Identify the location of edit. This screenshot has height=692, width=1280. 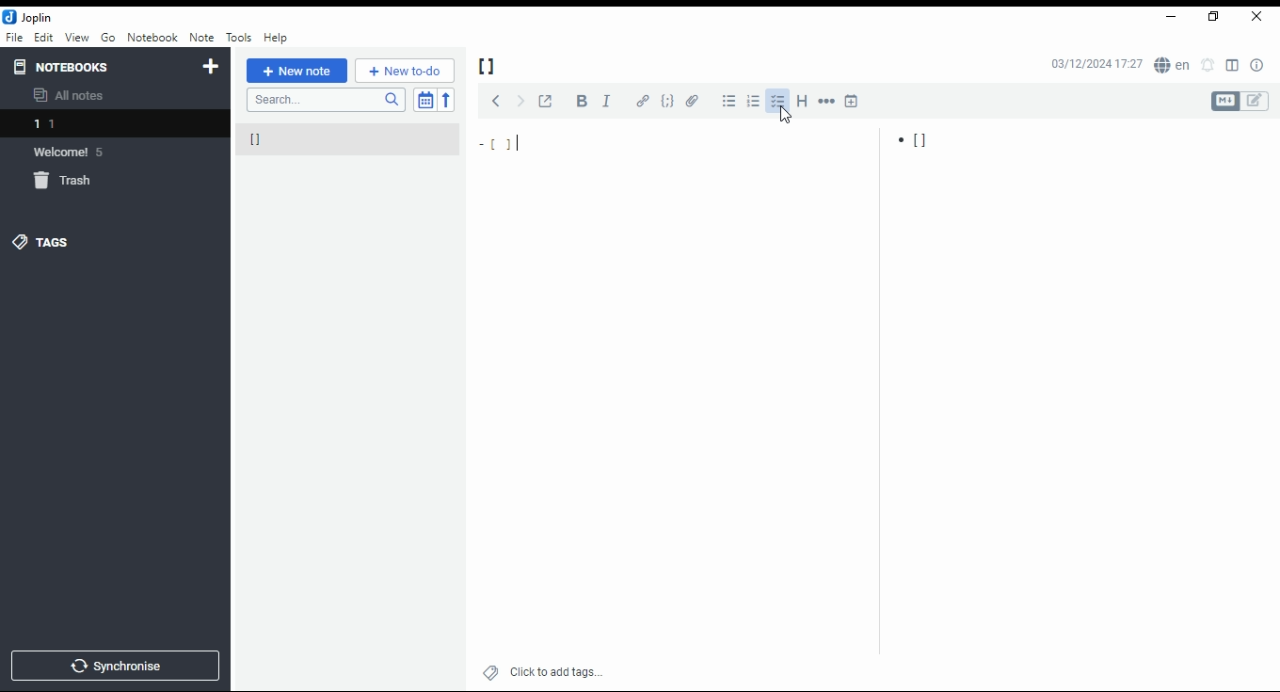
(44, 36).